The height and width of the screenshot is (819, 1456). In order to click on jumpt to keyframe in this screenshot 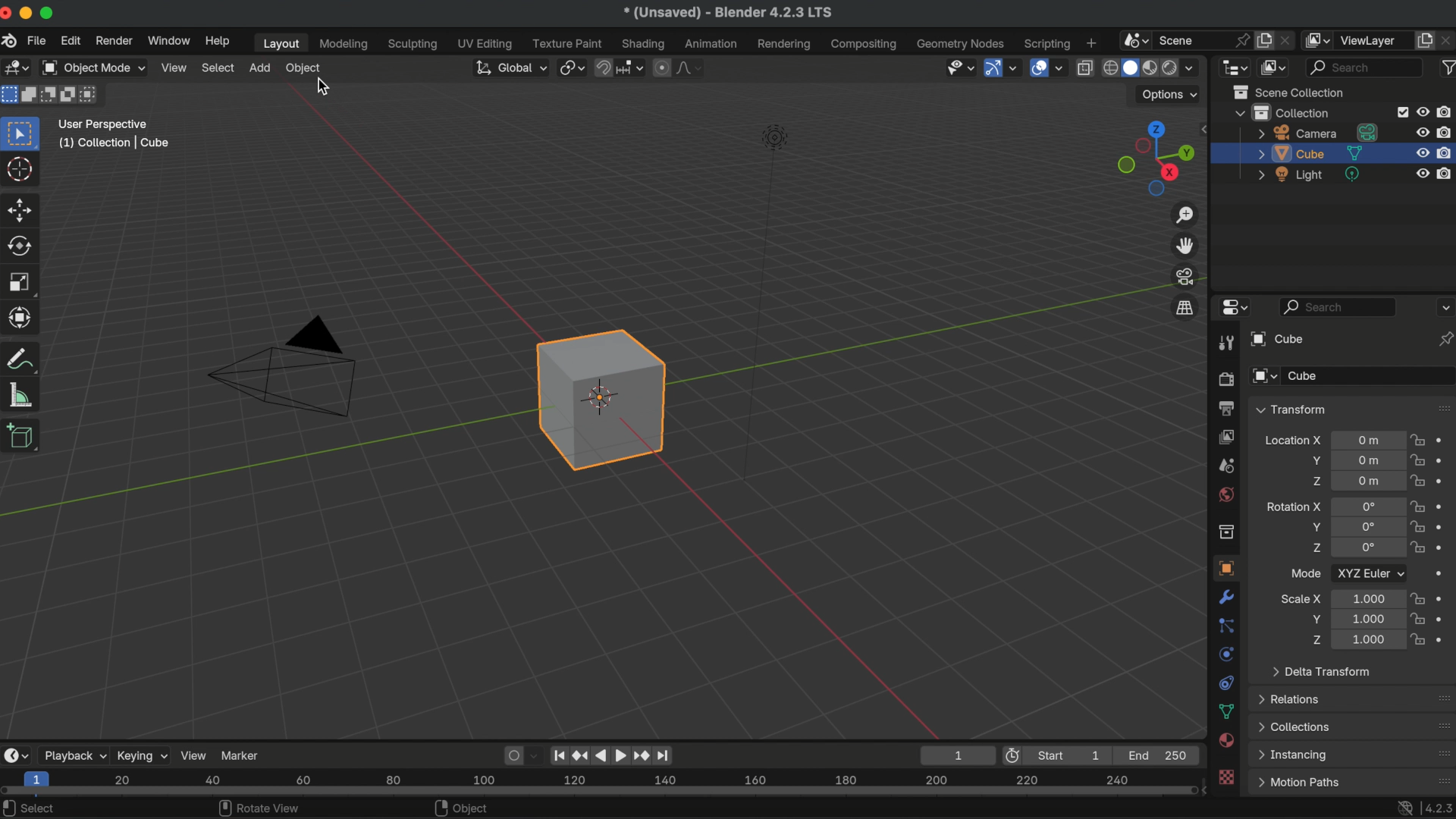, I will do `click(641, 755)`.